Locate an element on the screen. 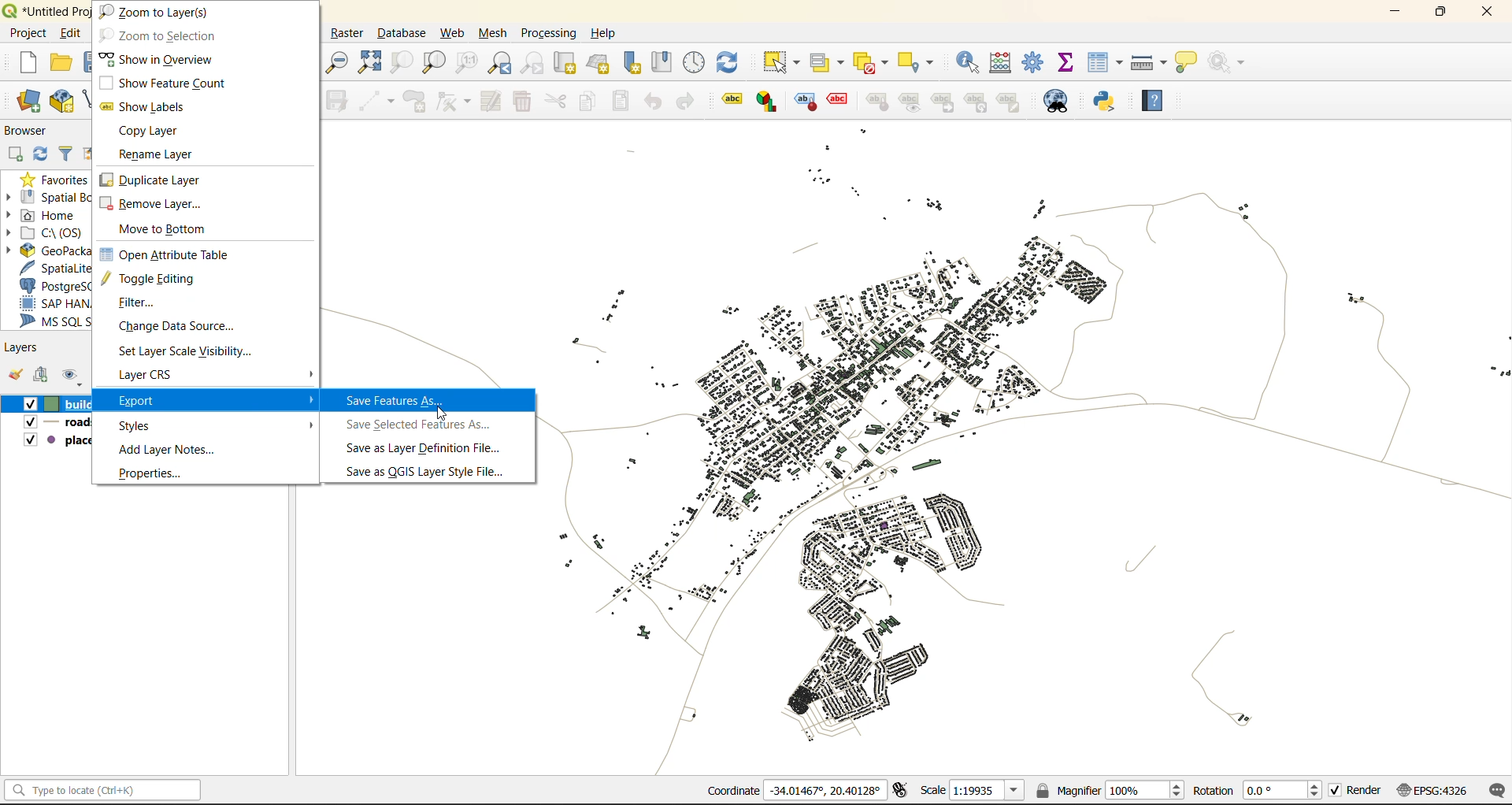  add is located at coordinates (42, 376).